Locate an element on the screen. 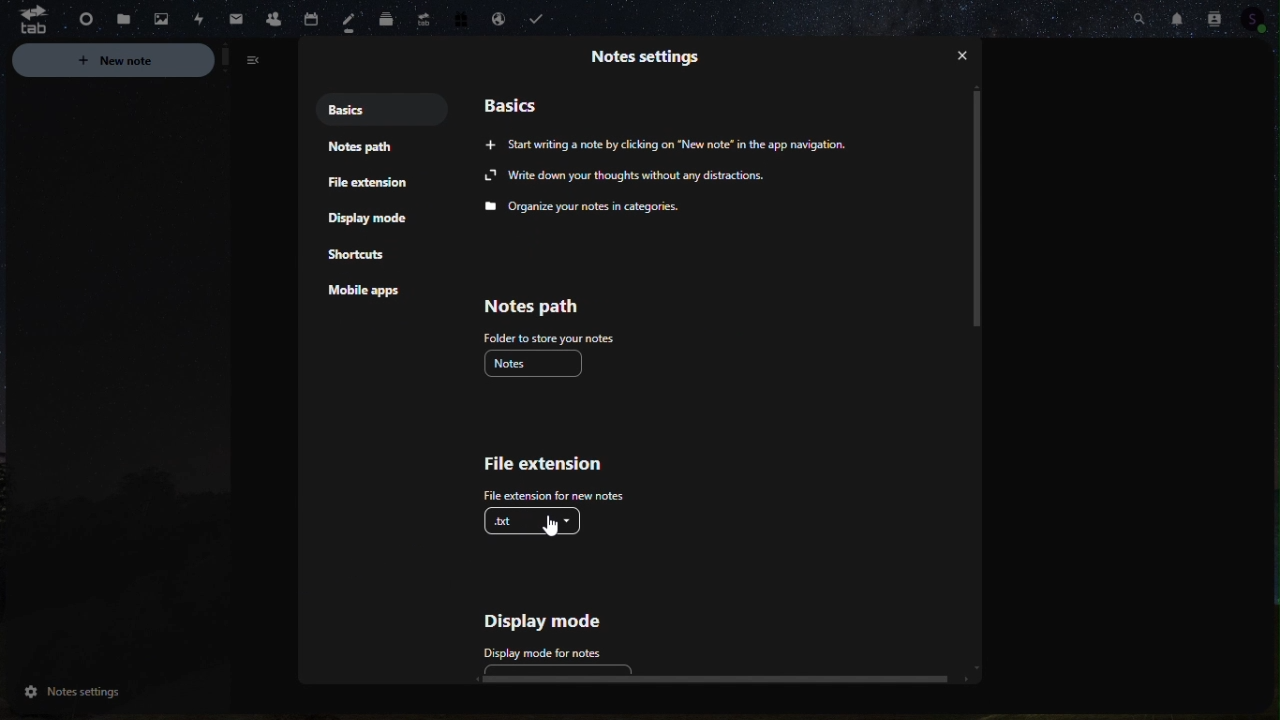 This screenshot has width=1280, height=720. cursor is located at coordinates (553, 530).